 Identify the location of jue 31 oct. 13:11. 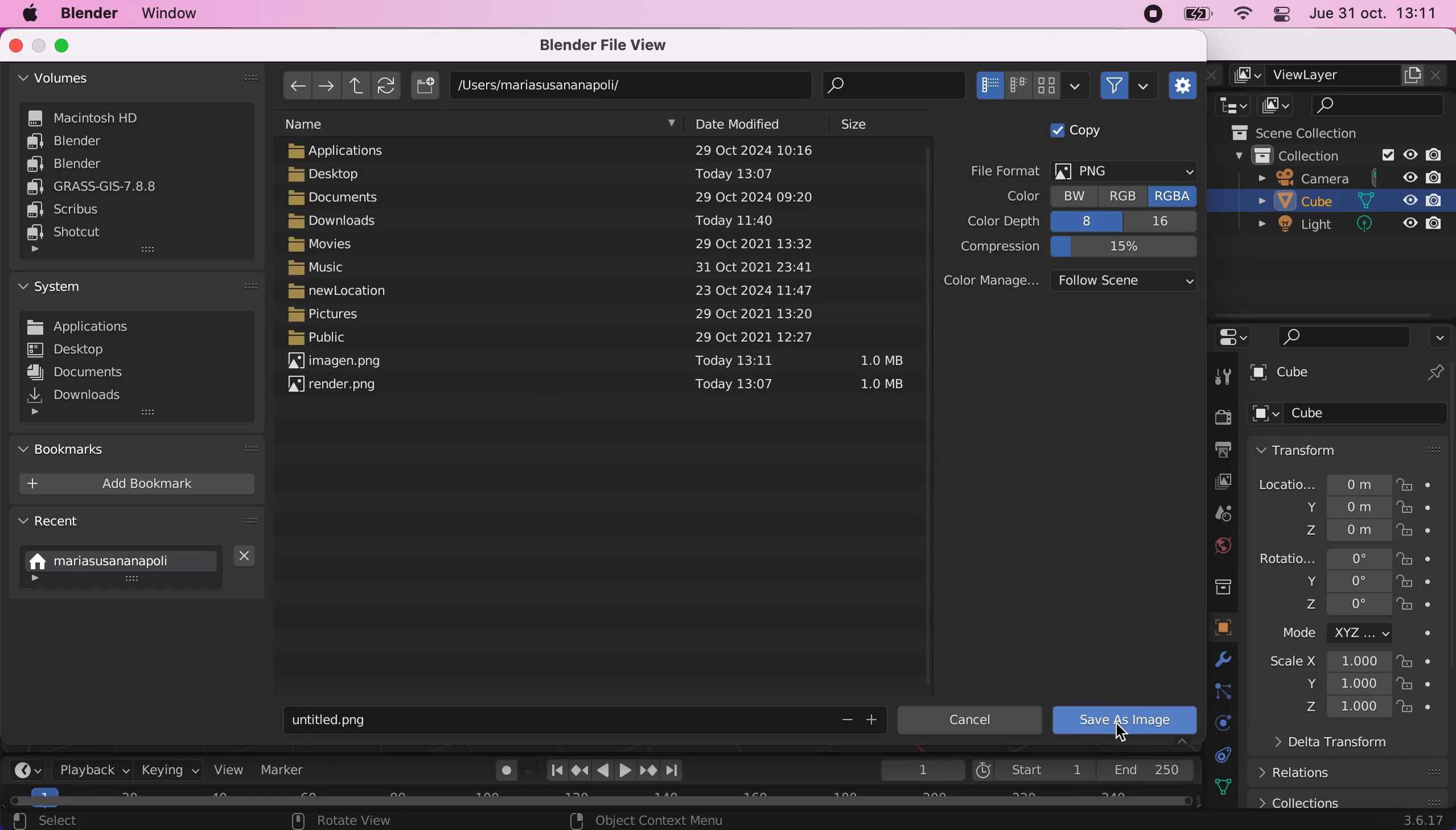
(1380, 15).